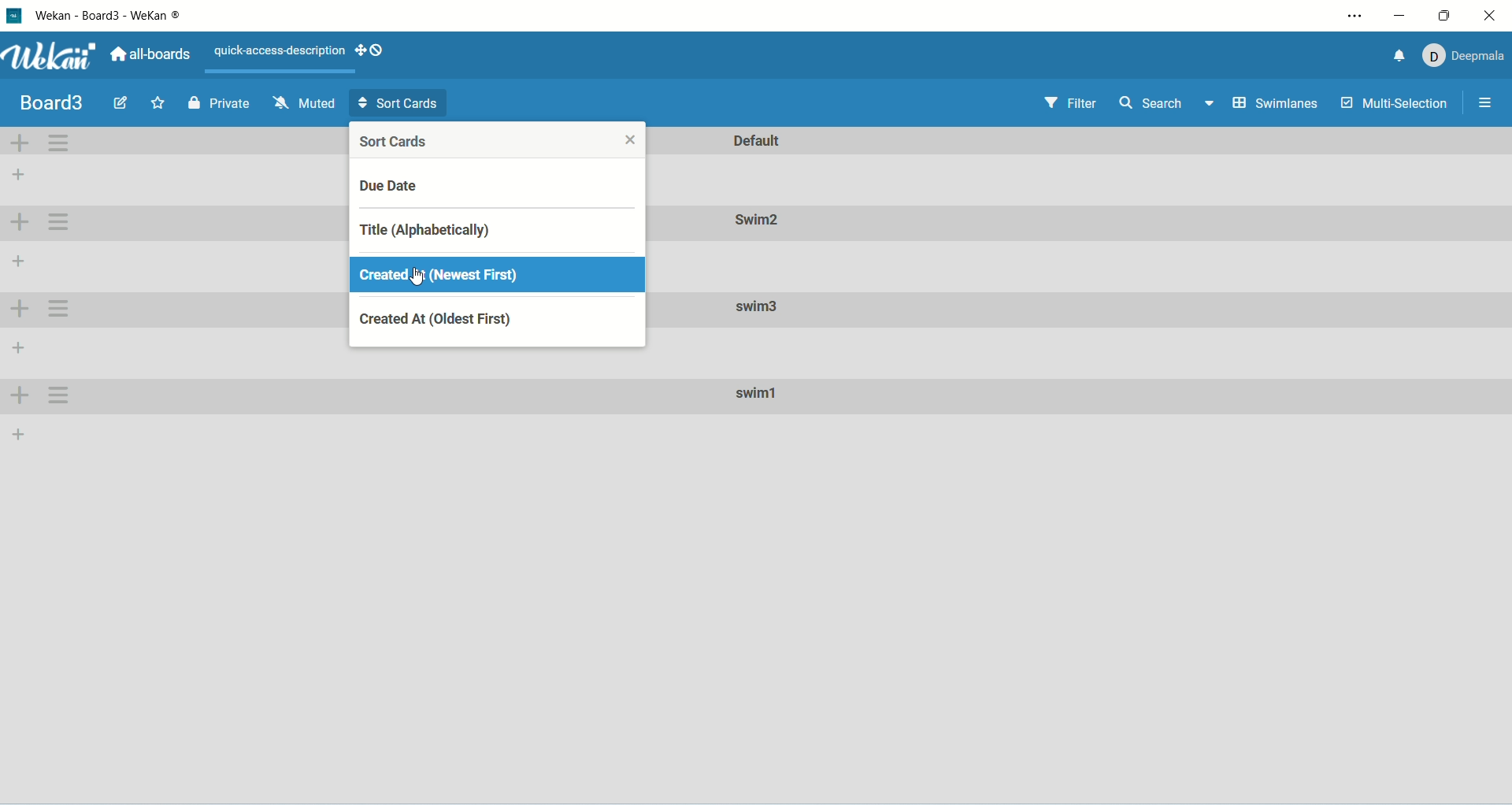 The height and width of the screenshot is (805, 1512). What do you see at coordinates (416, 276) in the screenshot?
I see `cursor` at bounding box center [416, 276].